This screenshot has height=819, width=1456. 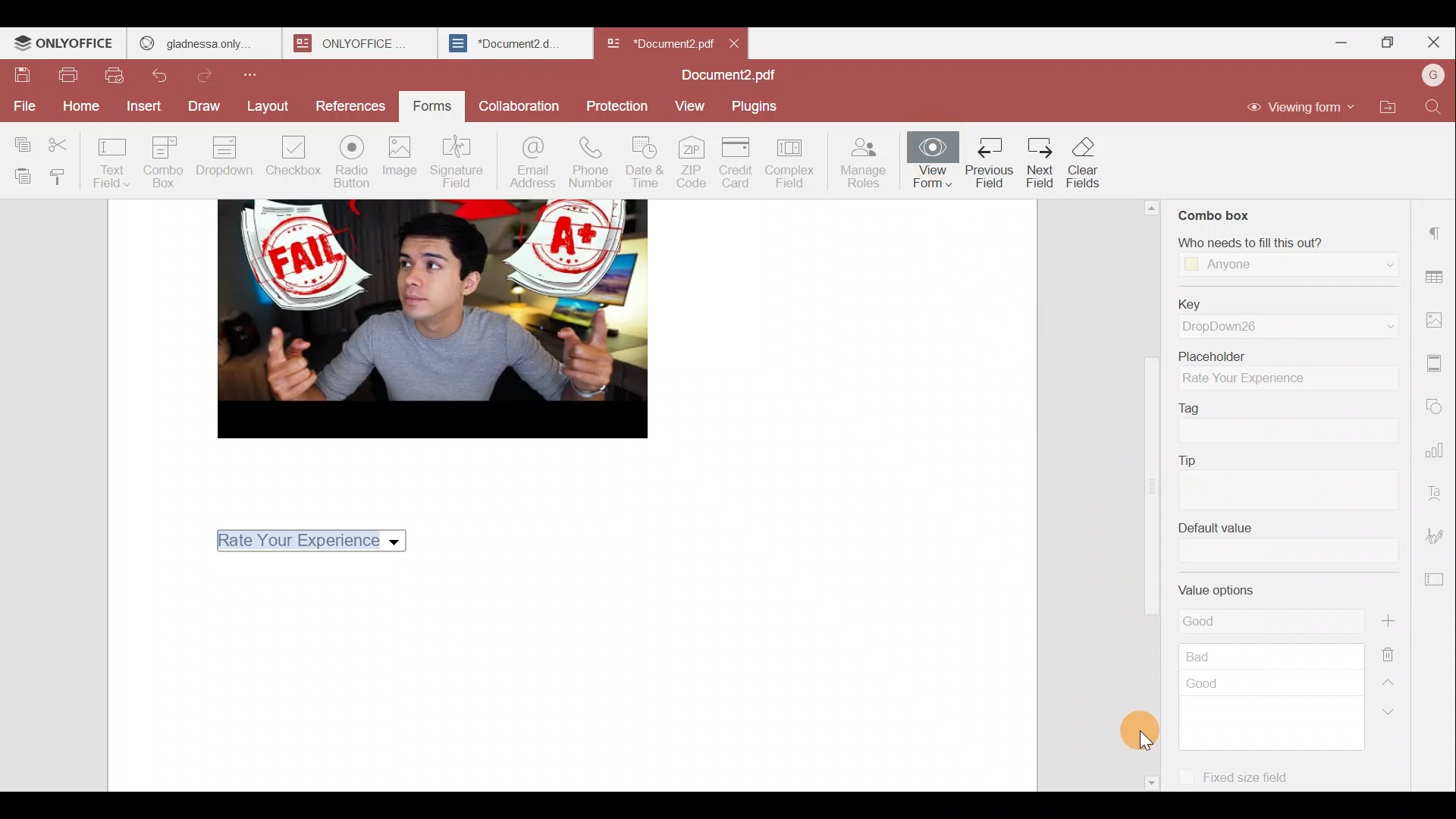 What do you see at coordinates (350, 43) in the screenshot?
I see `ONLYOFFICE` at bounding box center [350, 43].